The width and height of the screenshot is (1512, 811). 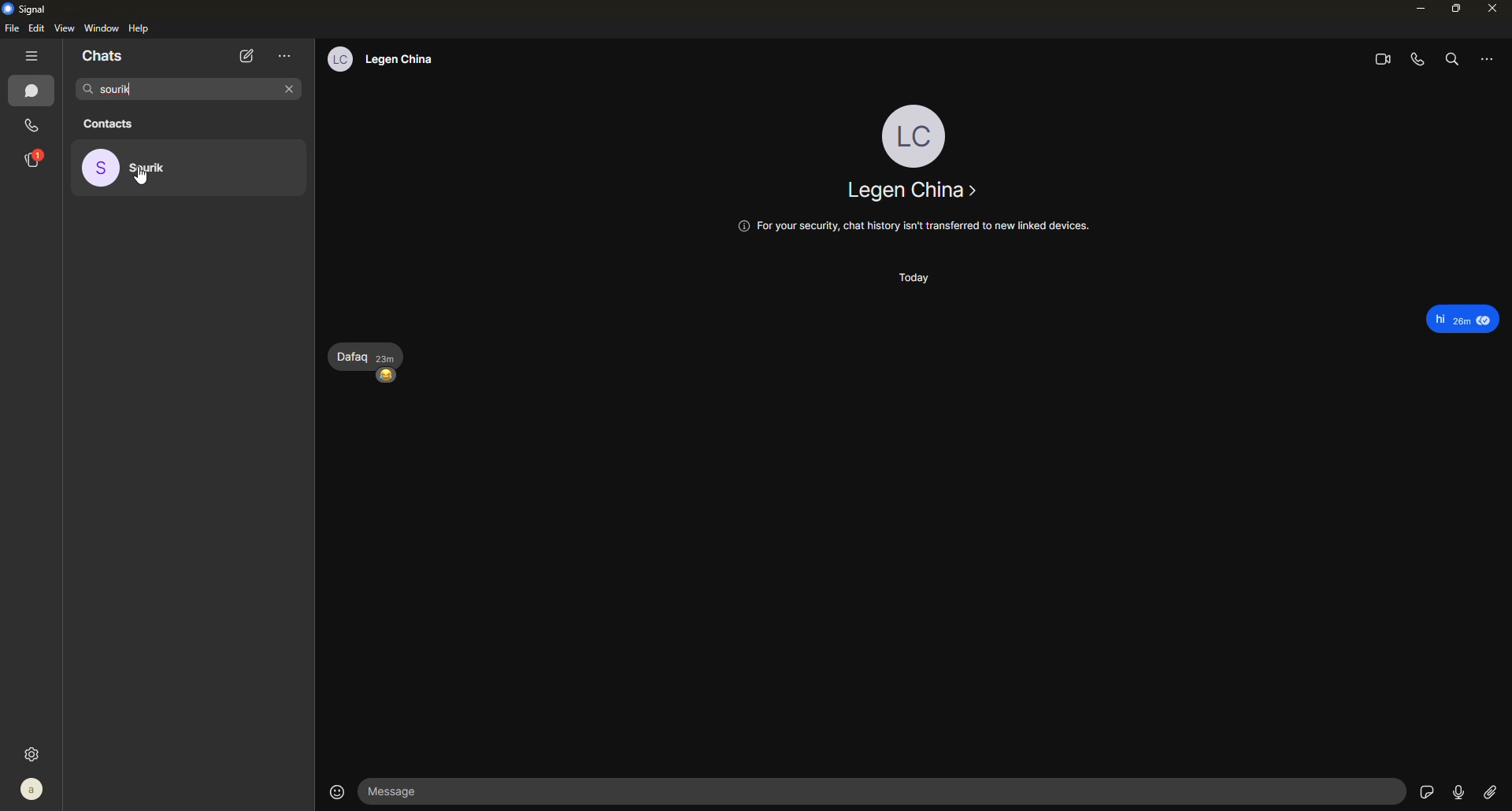 I want to click on more, so click(x=1485, y=61).